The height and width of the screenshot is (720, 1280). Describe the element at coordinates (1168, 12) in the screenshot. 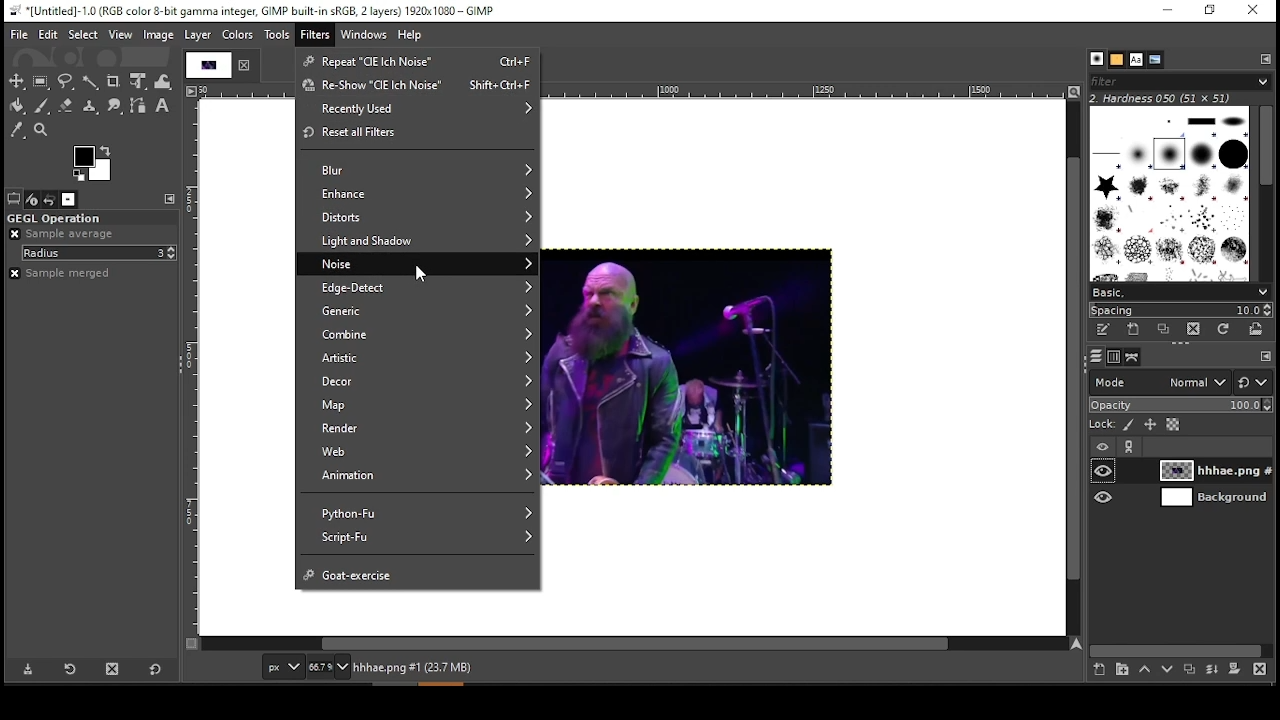

I see `minimize` at that location.